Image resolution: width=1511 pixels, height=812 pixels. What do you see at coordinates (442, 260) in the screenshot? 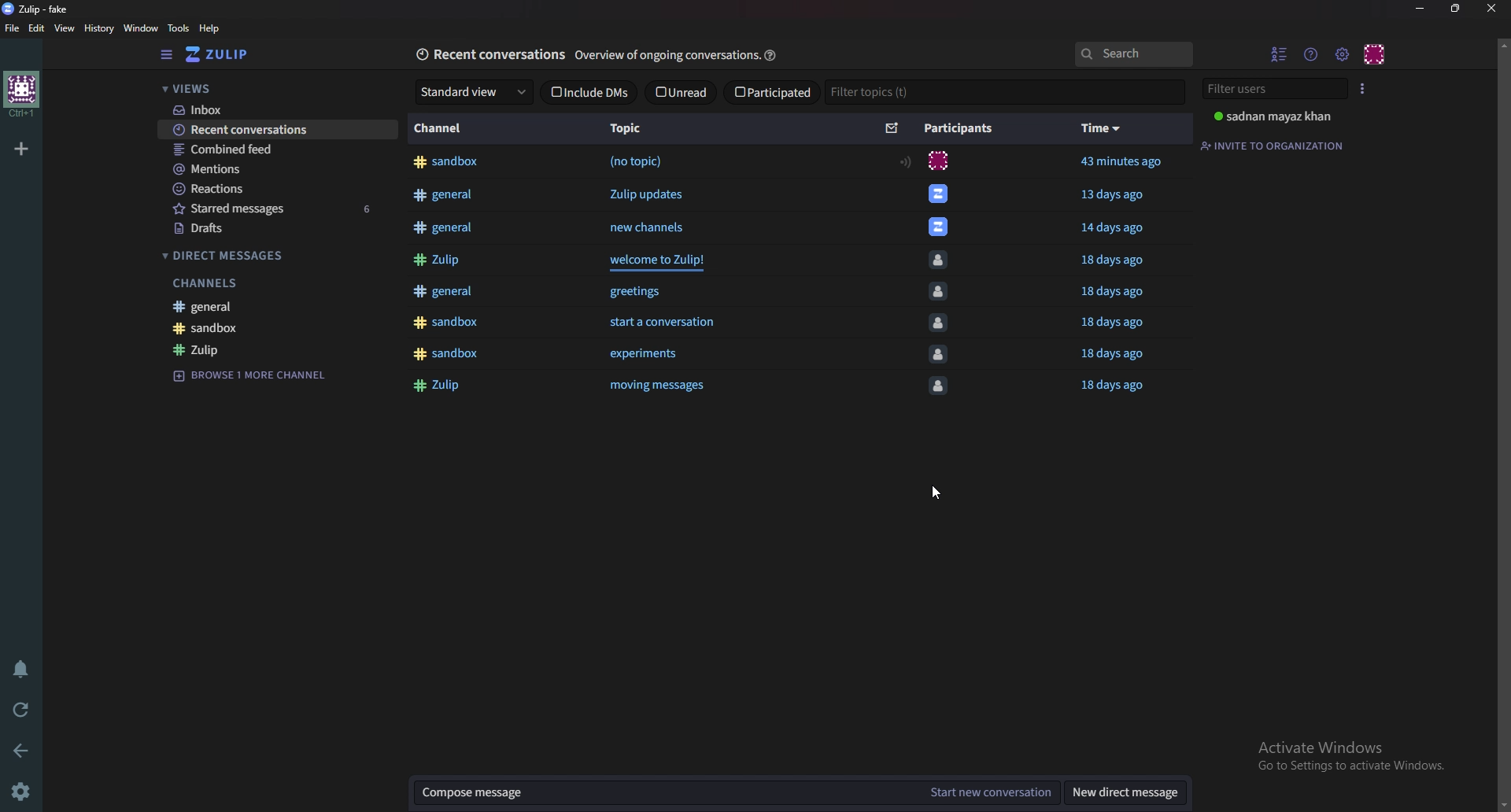
I see `# Zulip` at bounding box center [442, 260].